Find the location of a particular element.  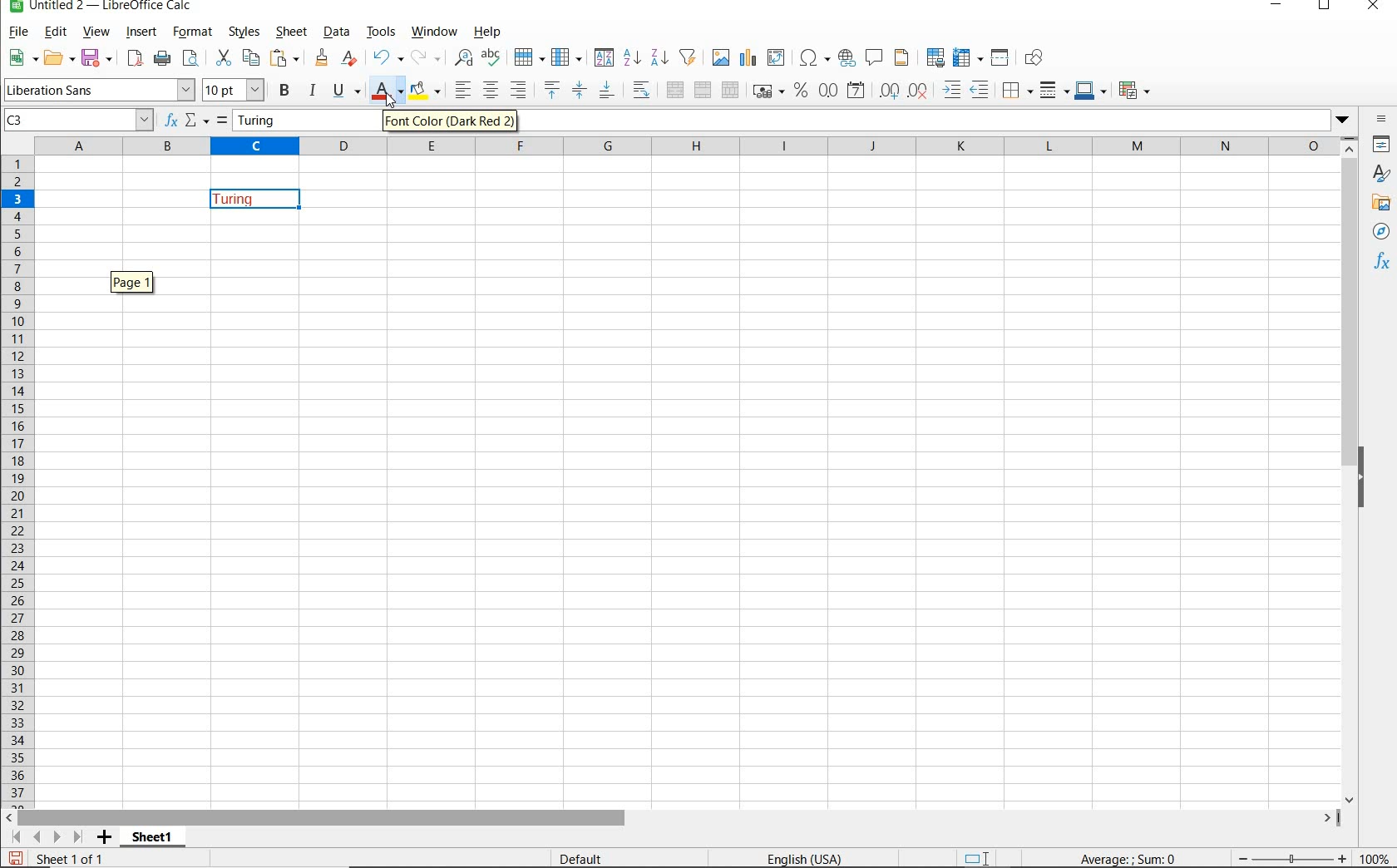

SELECT FUNCTION is located at coordinates (197, 122).